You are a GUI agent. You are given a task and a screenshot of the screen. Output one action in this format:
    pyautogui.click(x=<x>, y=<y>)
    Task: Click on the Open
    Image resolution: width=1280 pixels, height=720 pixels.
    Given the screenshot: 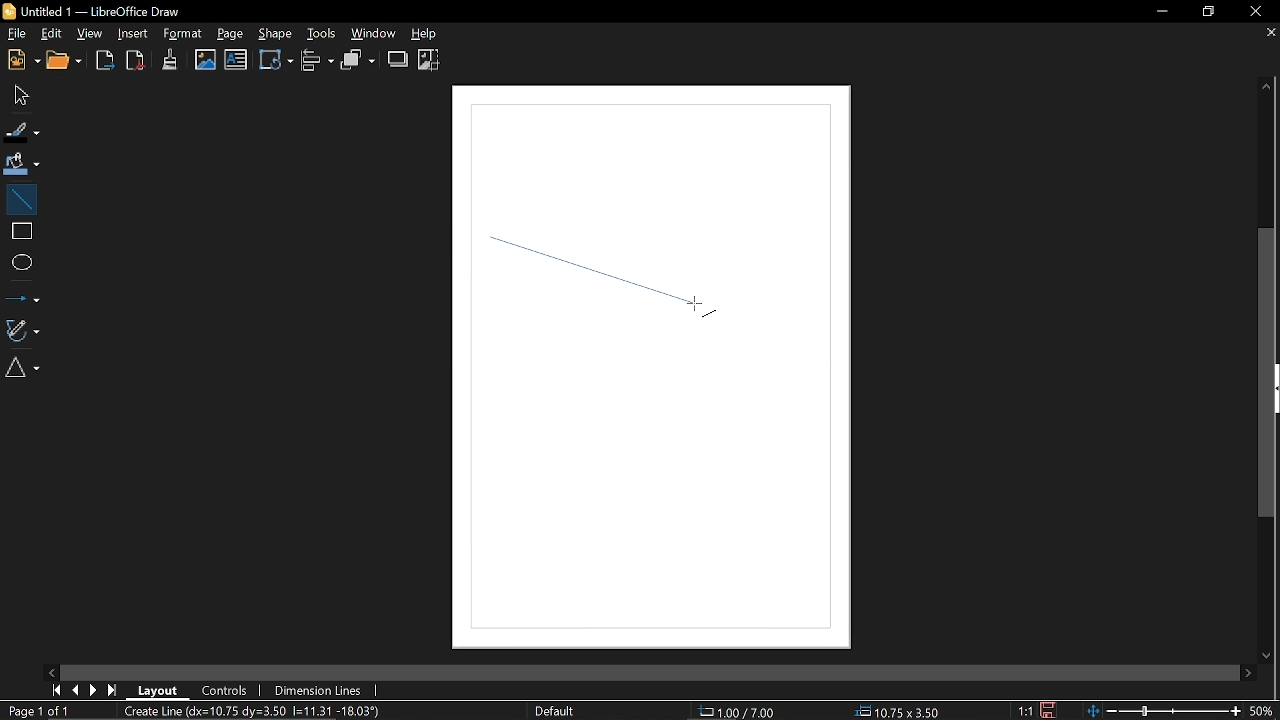 What is the action you would take?
    pyautogui.click(x=65, y=61)
    